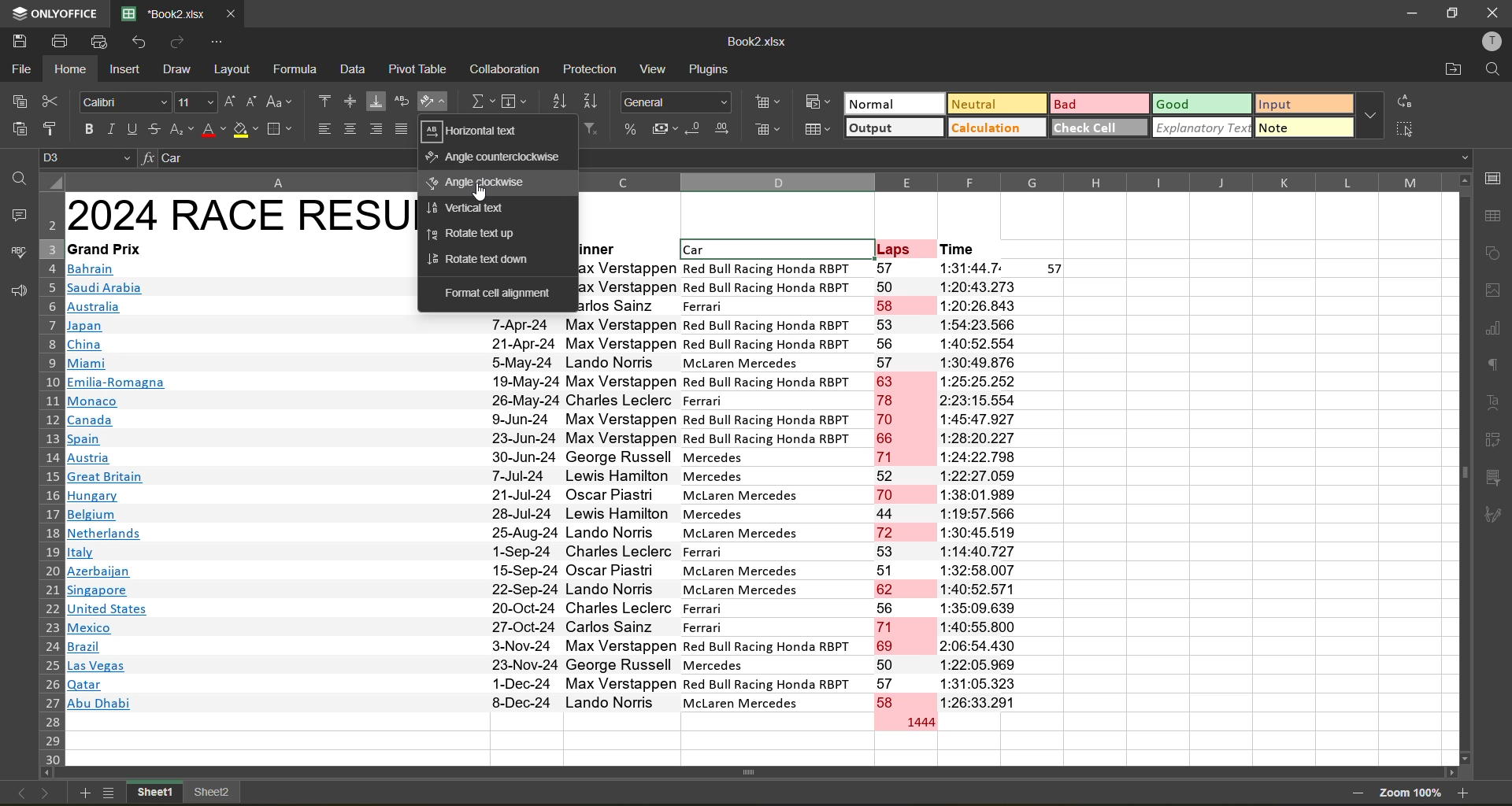  Describe the element at coordinates (1493, 331) in the screenshot. I see `charts` at that location.